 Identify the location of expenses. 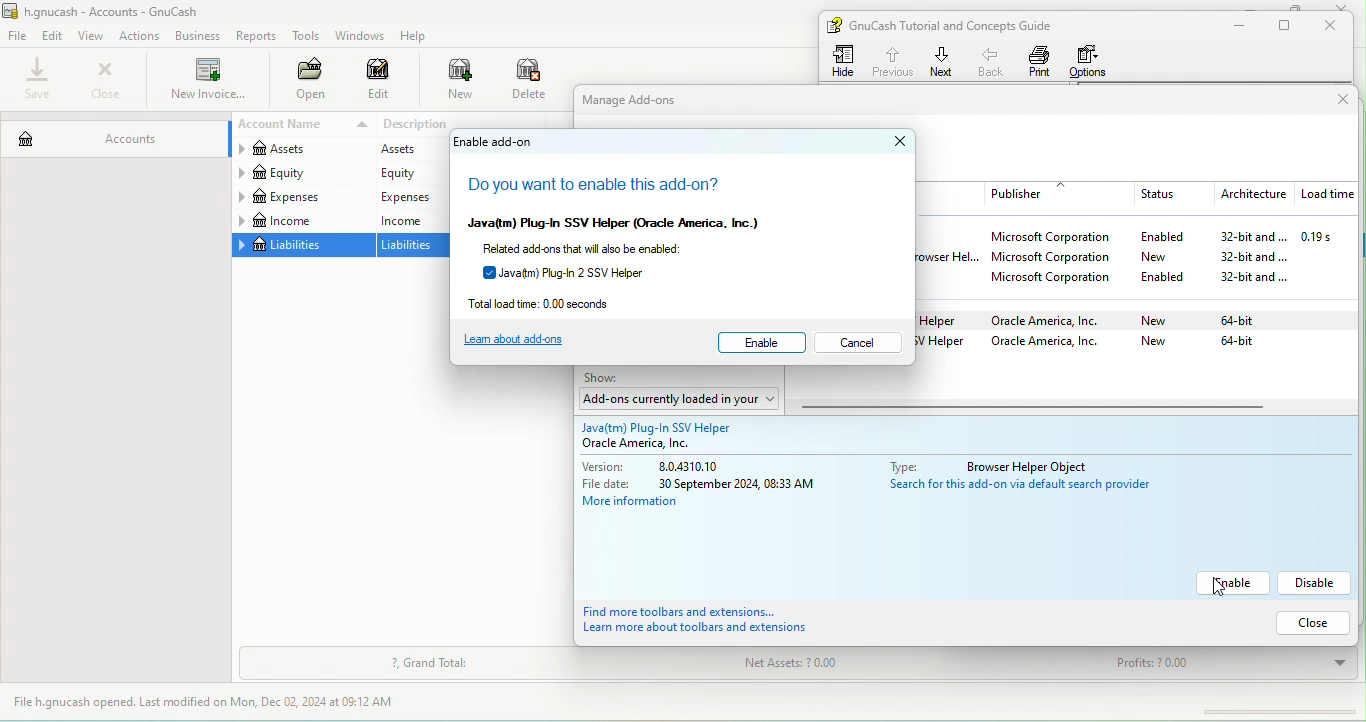
(302, 197).